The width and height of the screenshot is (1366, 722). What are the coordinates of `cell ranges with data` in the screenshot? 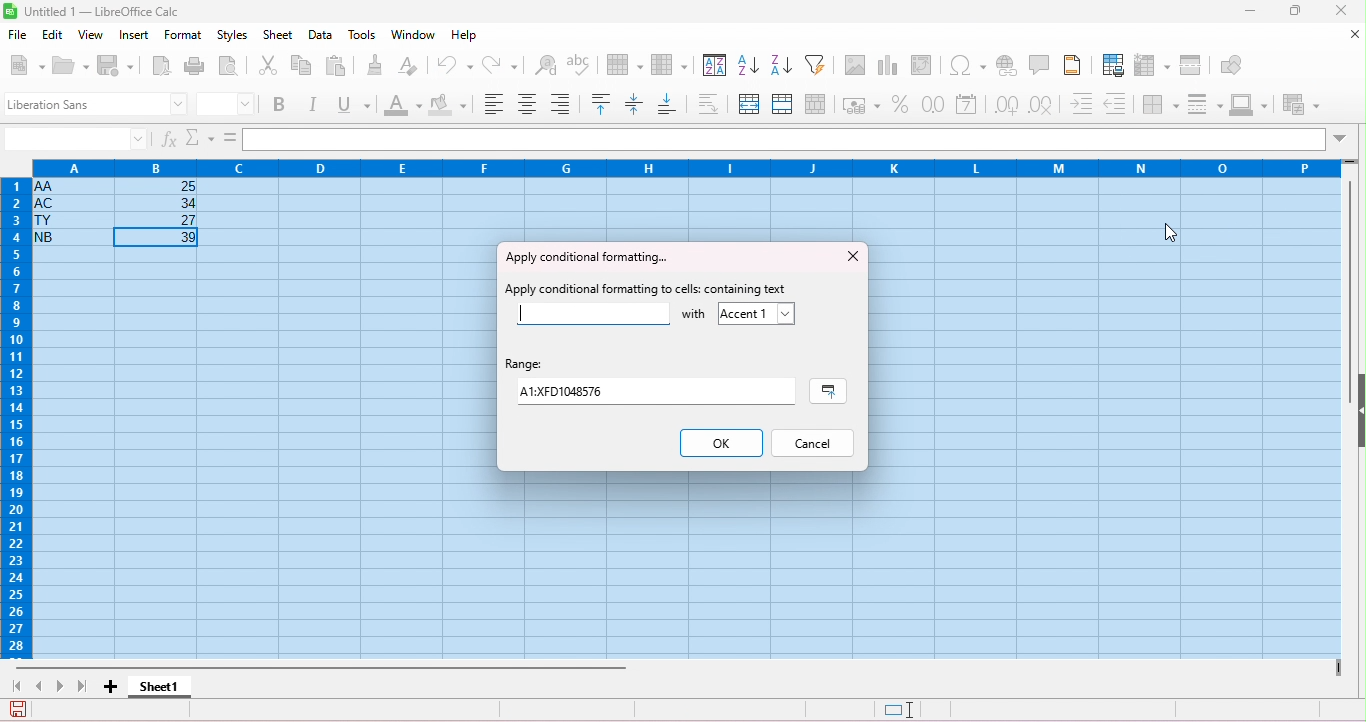 It's located at (117, 214).